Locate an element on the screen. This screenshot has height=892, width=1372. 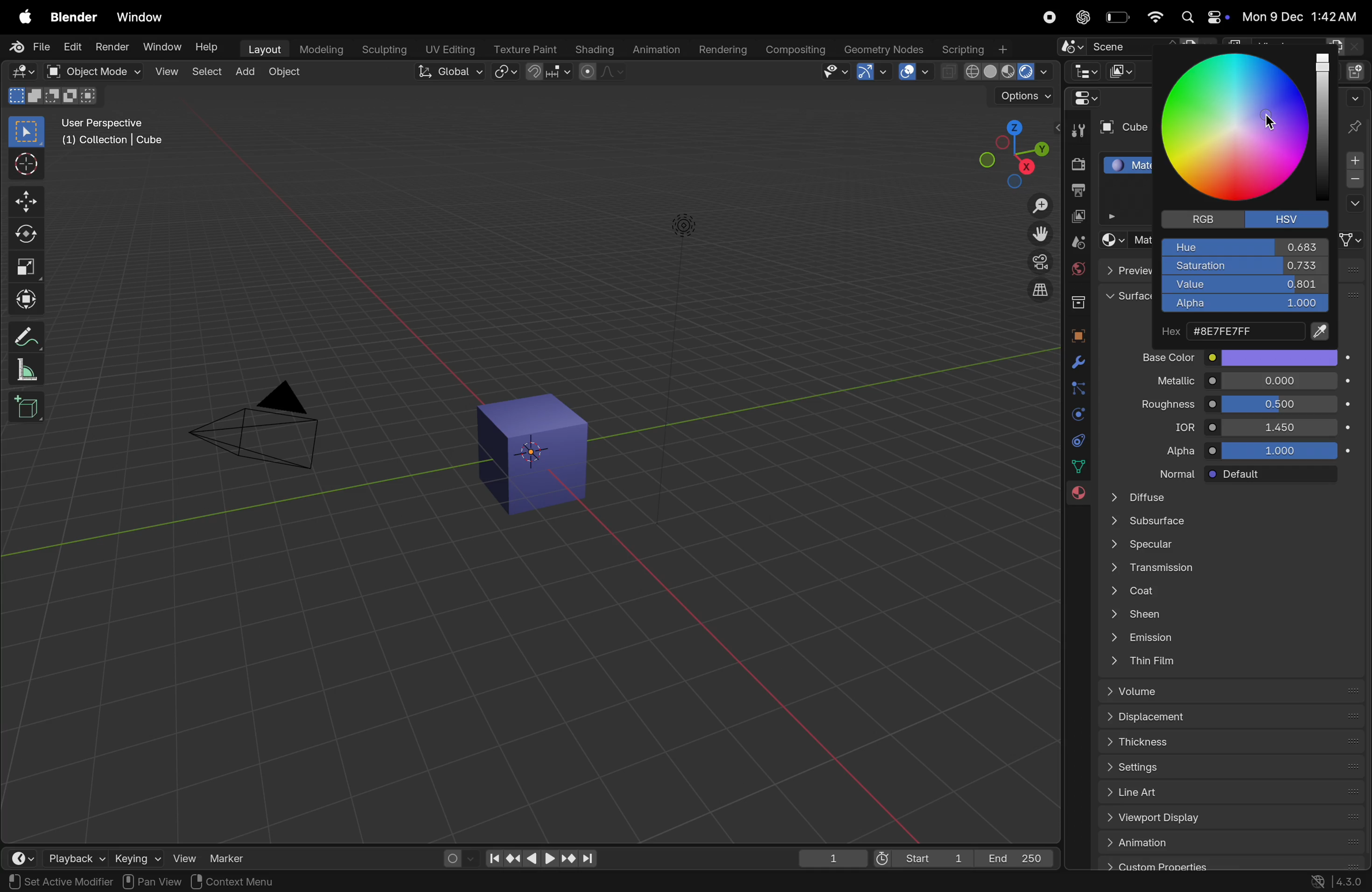
tools is located at coordinates (1077, 129).